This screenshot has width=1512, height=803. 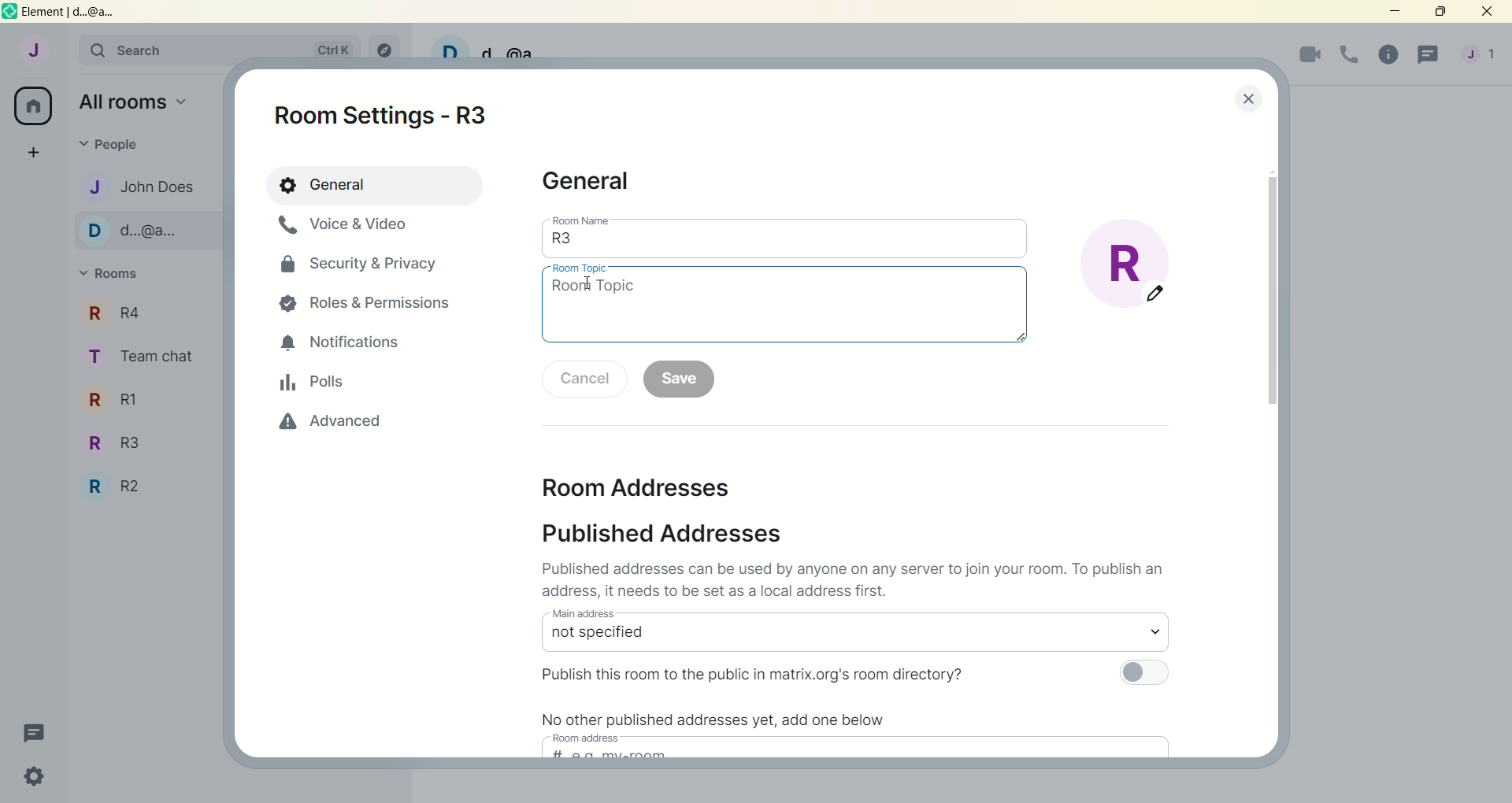 What do you see at coordinates (584, 220) in the screenshot?
I see `room name` at bounding box center [584, 220].